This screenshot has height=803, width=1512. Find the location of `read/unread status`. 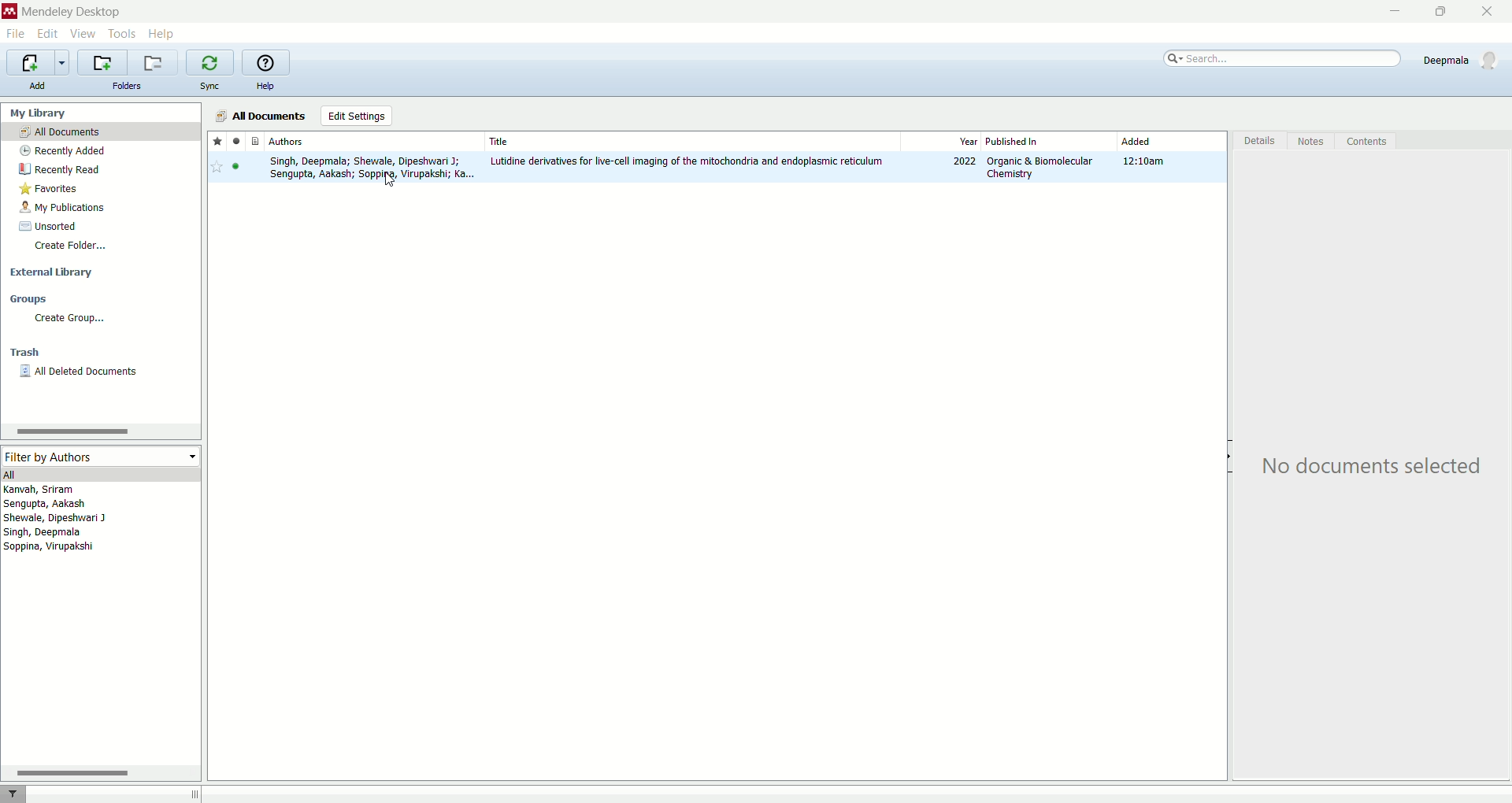

read/unread status is located at coordinates (236, 142).